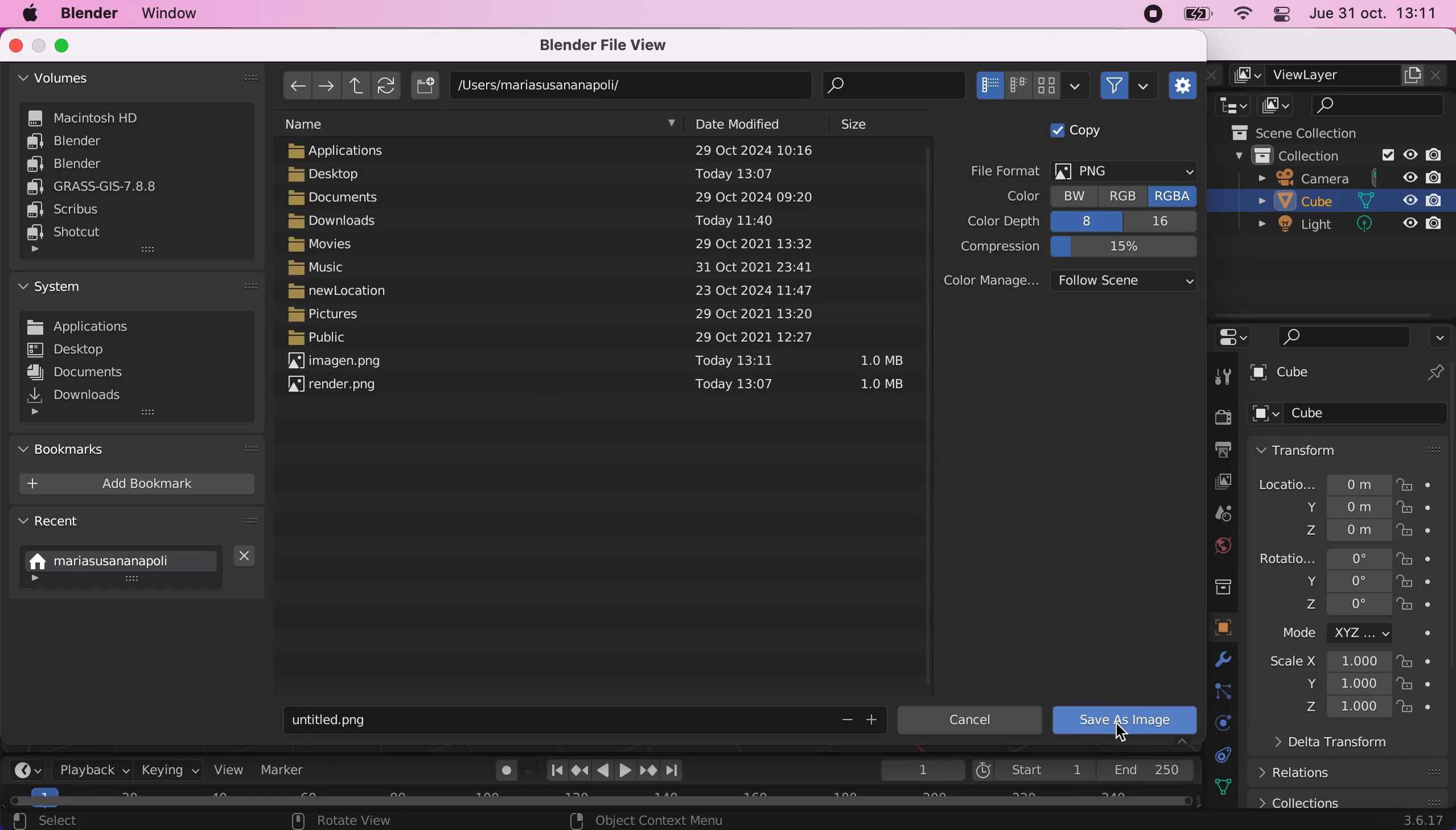 The width and height of the screenshot is (1456, 830). I want to click on select, so click(85, 820).